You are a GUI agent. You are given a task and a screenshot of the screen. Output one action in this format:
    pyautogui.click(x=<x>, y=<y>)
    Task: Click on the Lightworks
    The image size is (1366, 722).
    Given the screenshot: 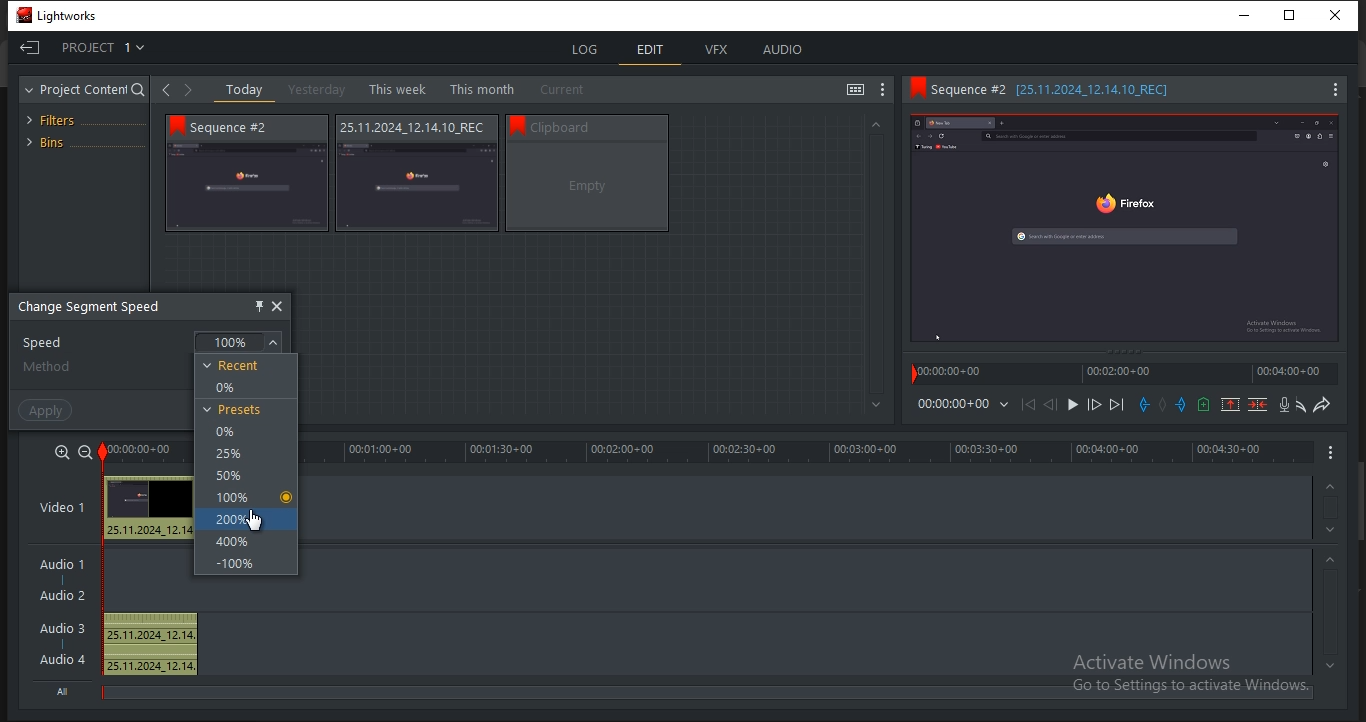 What is the action you would take?
    pyautogui.click(x=62, y=15)
    